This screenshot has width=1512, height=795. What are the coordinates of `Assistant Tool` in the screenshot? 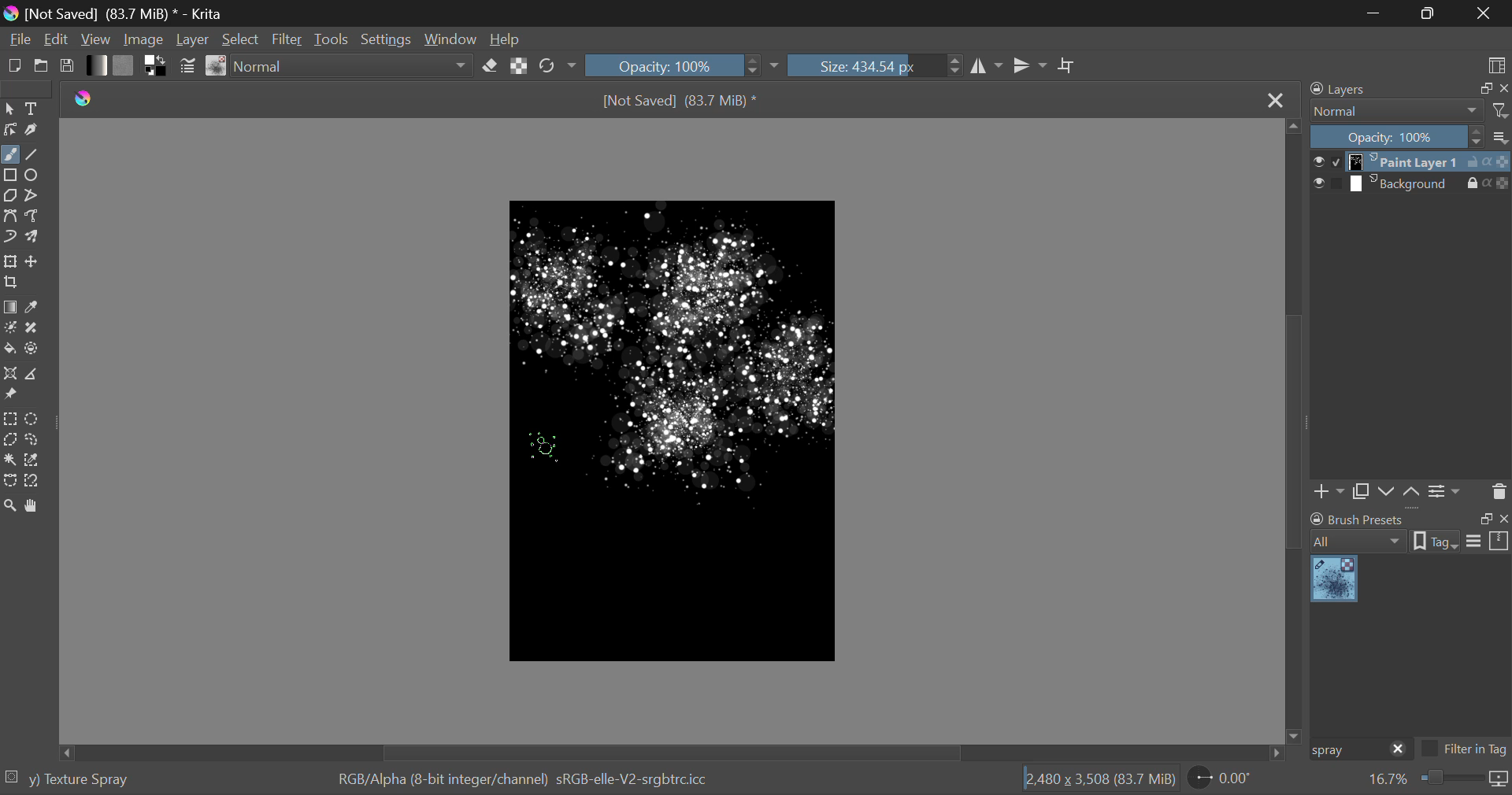 It's located at (9, 374).